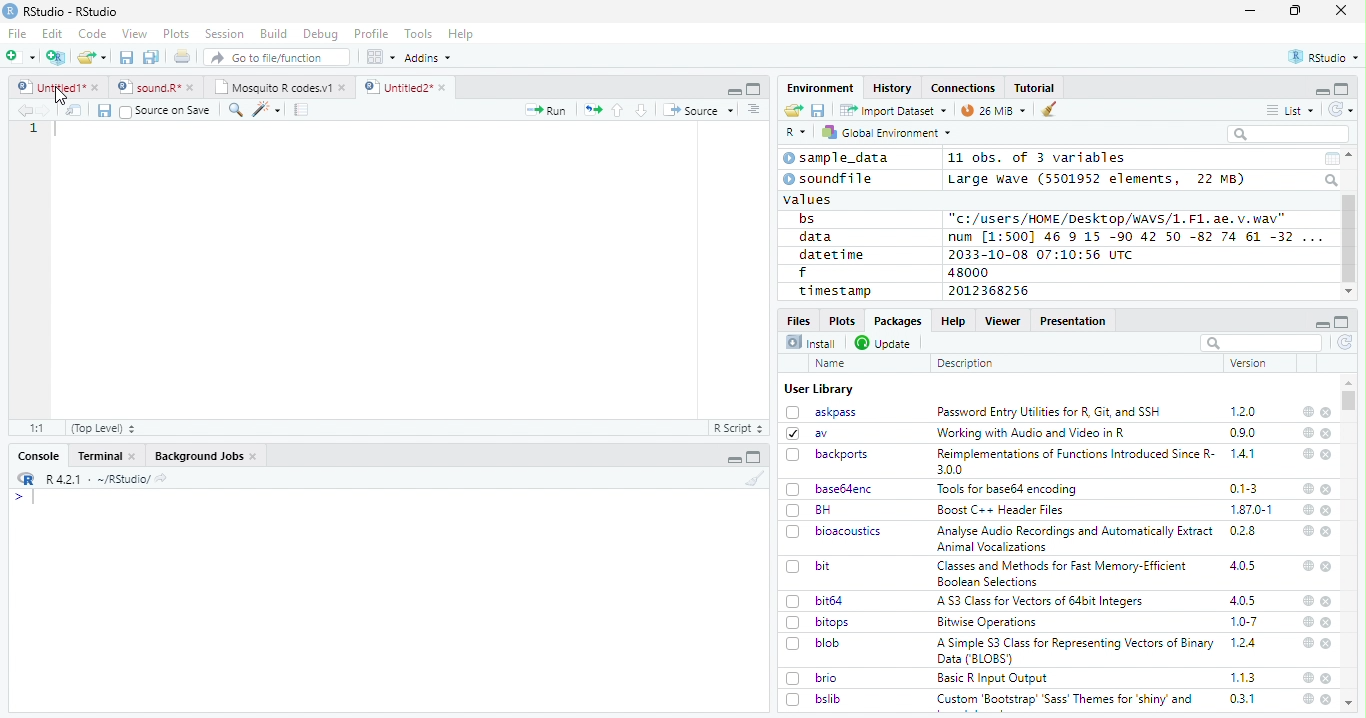  What do you see at coordinates (839, 158) in the screenshot?
I see `sample_data` at bounding box center [839, 158].